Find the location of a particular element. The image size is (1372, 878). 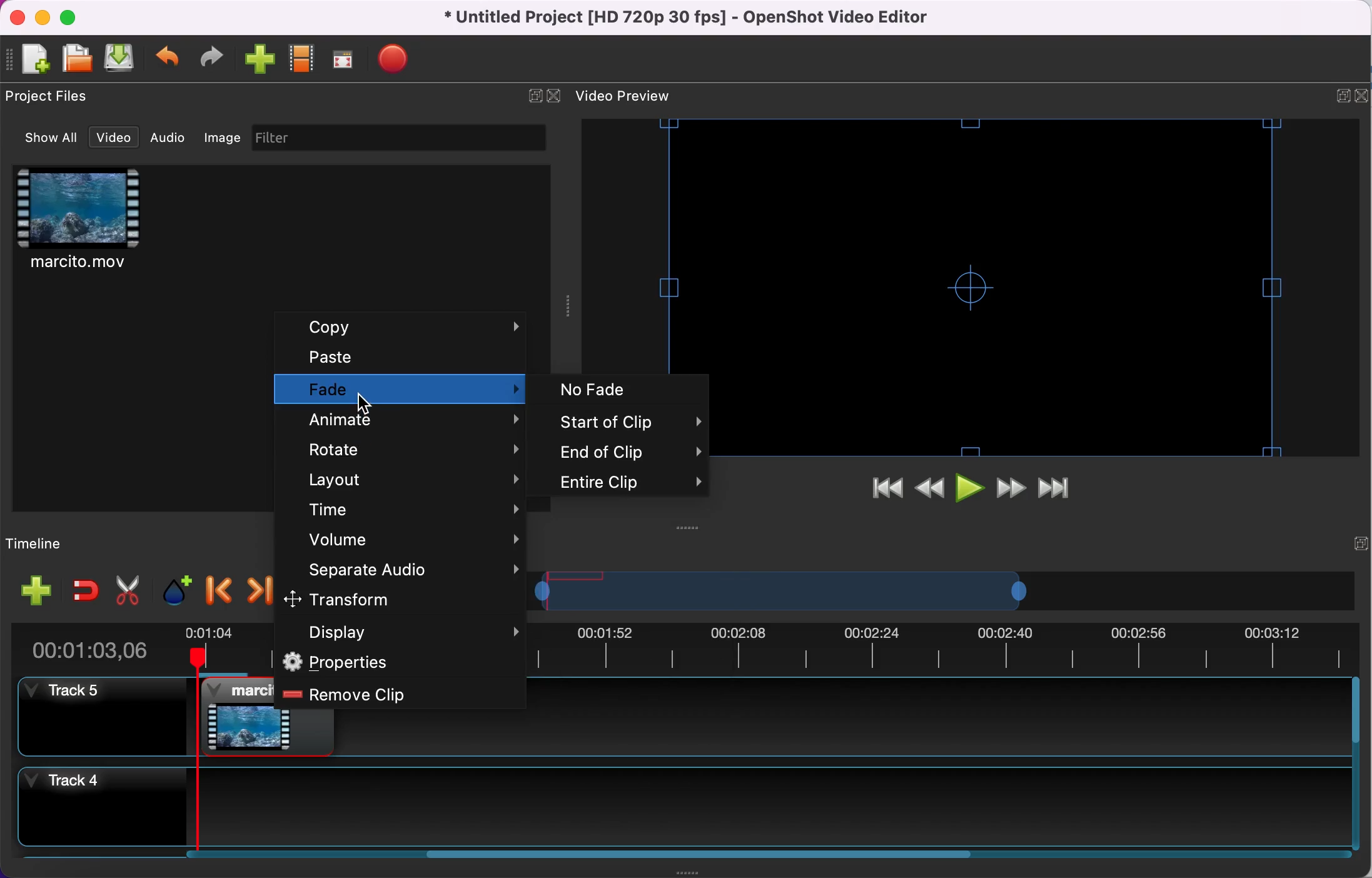

redo is located at coordinates (210, 58).